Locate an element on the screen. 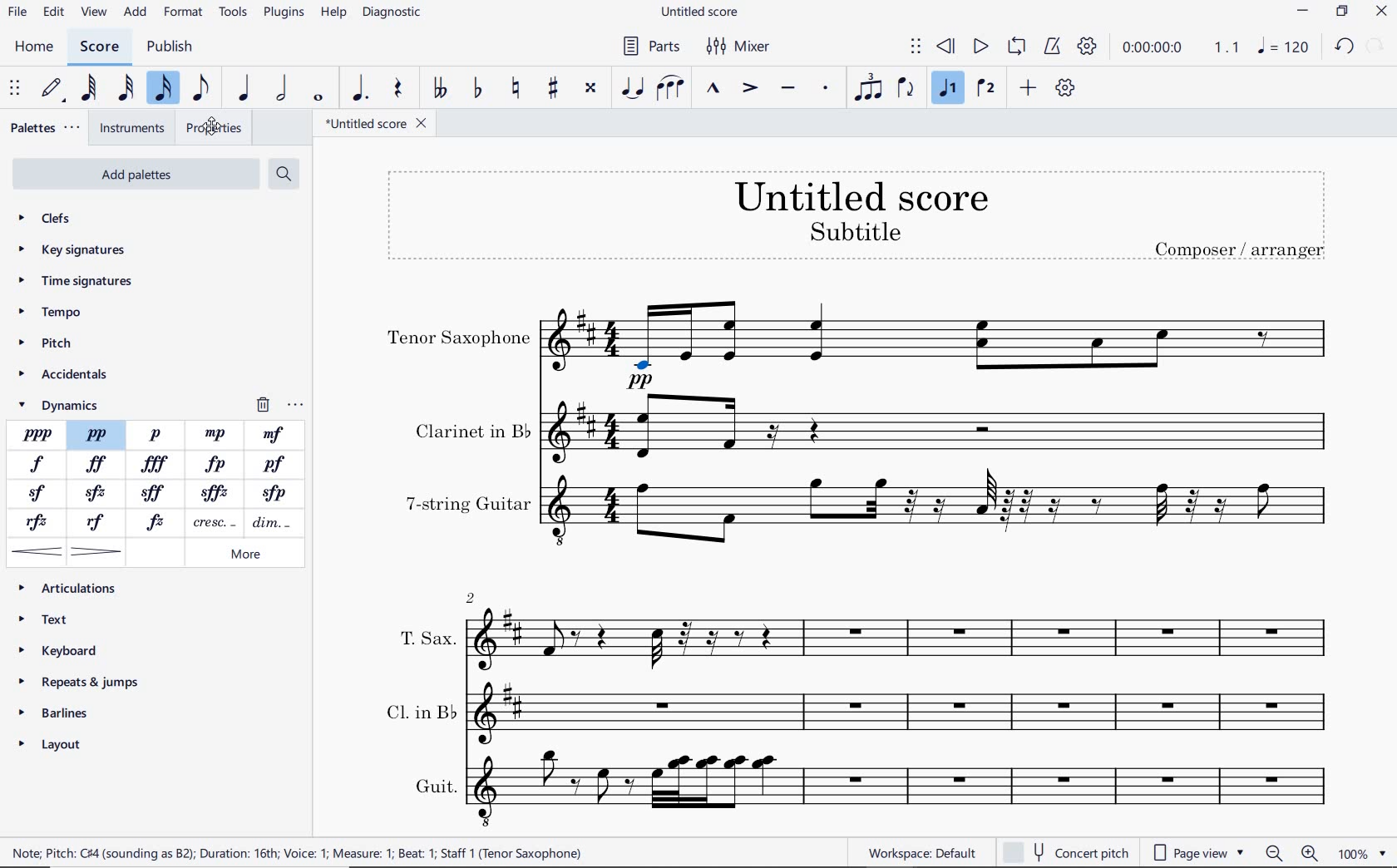 This screenshot has width=1397, height=868. FF (FORTISSIMO) is located at coordinates (97, 465).